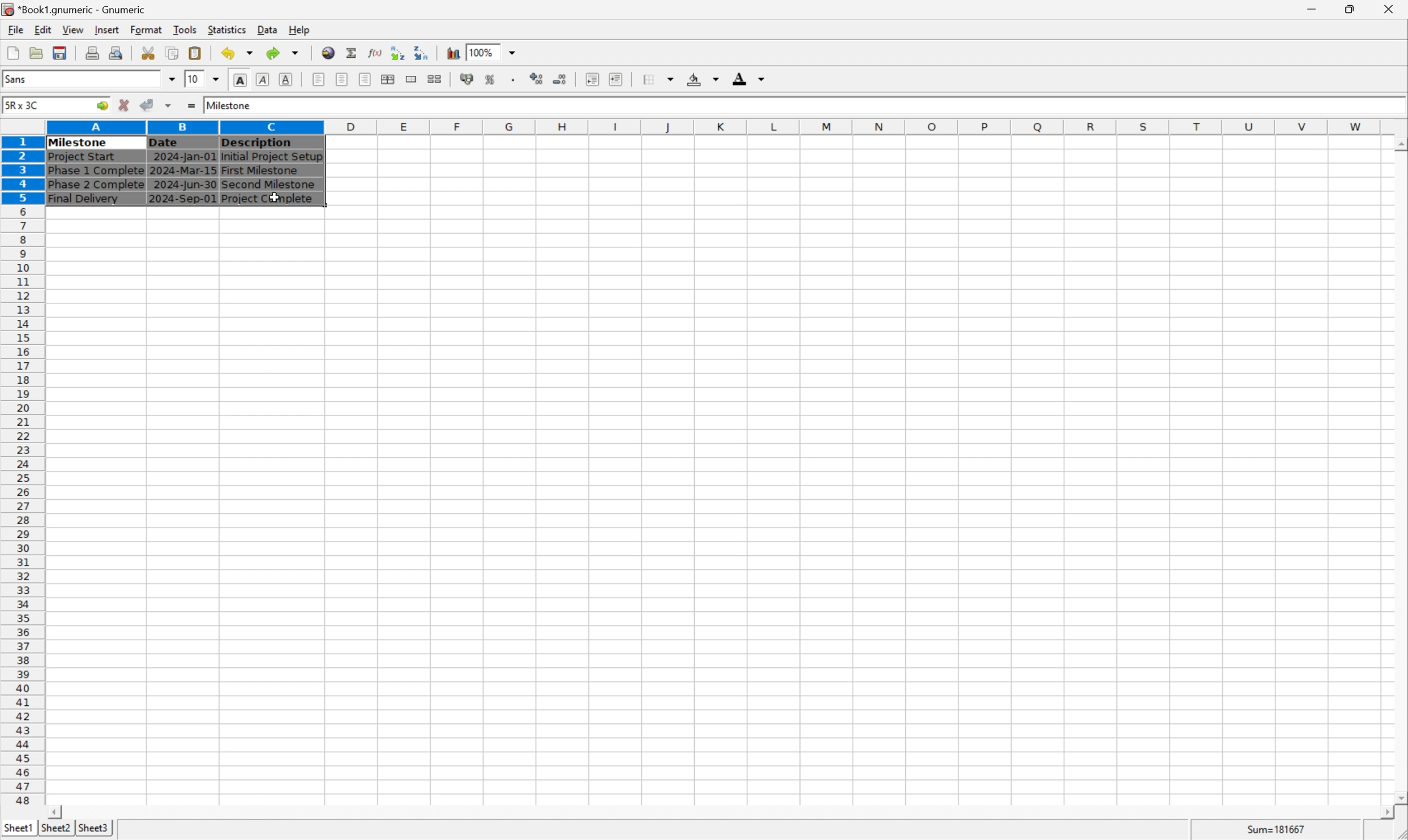 Image resolution: width=1408 pixels, height=840 pixels. I want to click on drop down, so click(513, 52).